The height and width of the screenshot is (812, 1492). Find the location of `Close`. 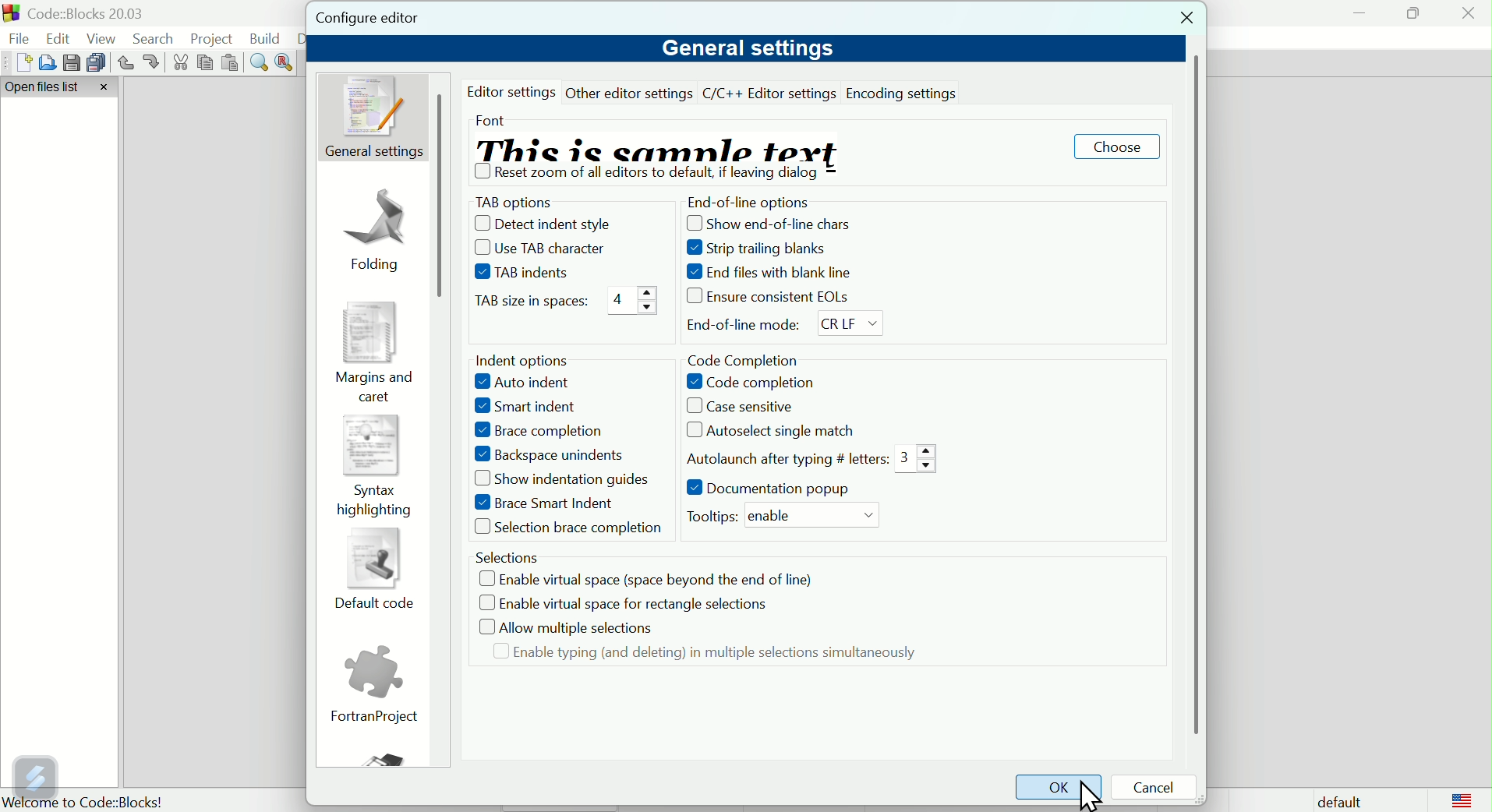

Close is located at coordinates (1183, 21).